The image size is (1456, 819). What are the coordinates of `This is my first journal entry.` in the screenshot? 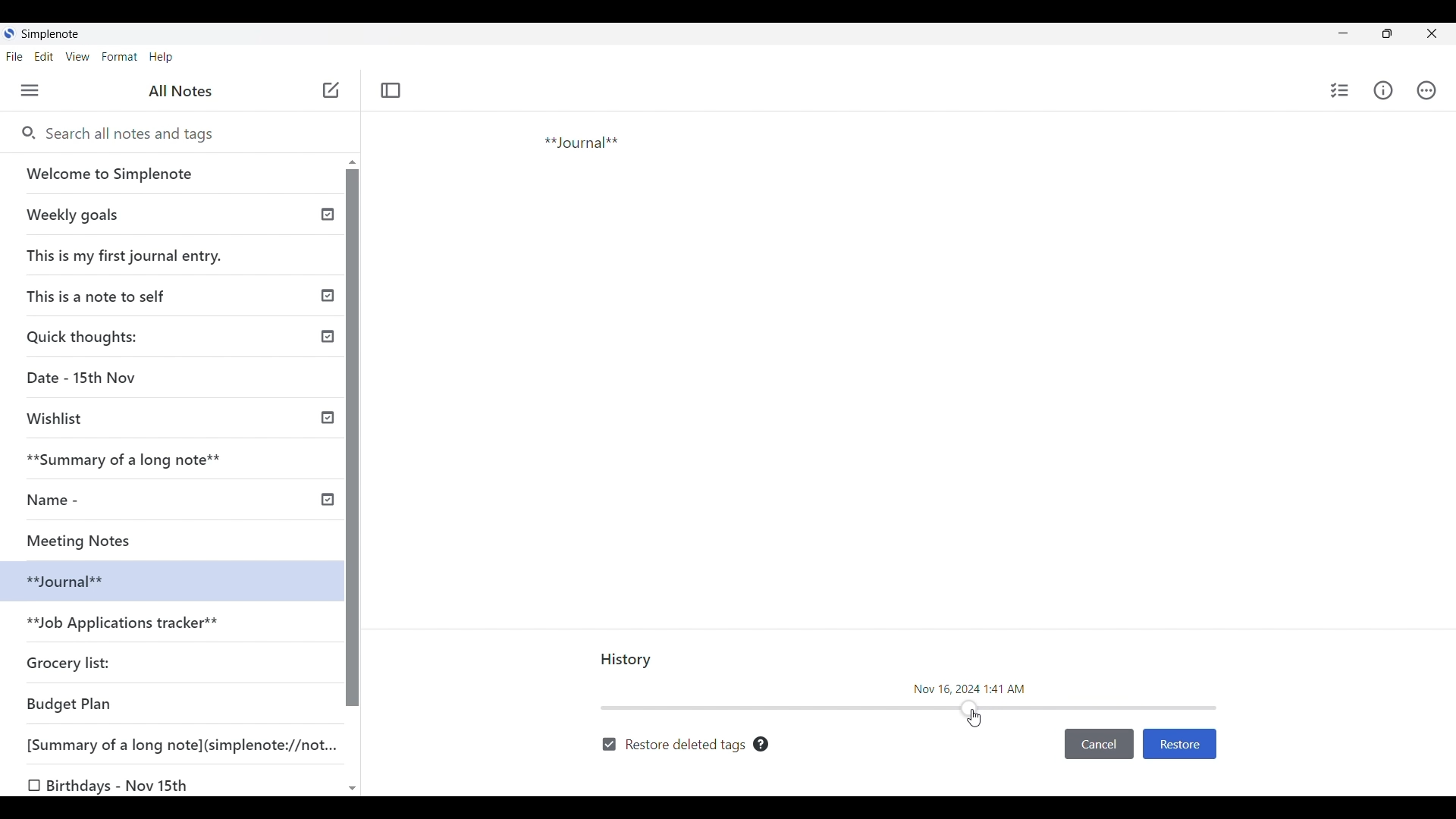 It's located at (126, 255).